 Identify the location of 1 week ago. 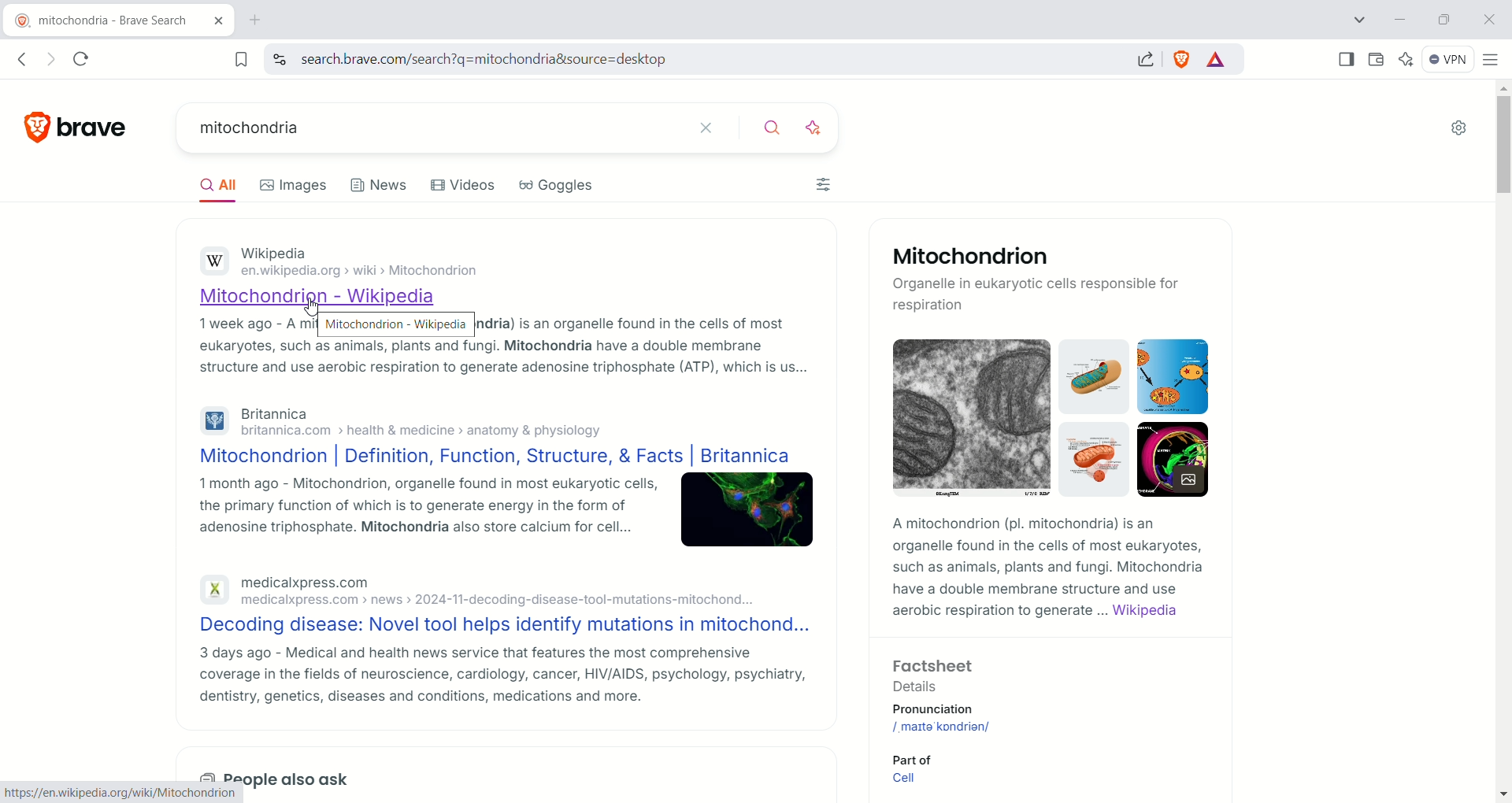
(234, 322).